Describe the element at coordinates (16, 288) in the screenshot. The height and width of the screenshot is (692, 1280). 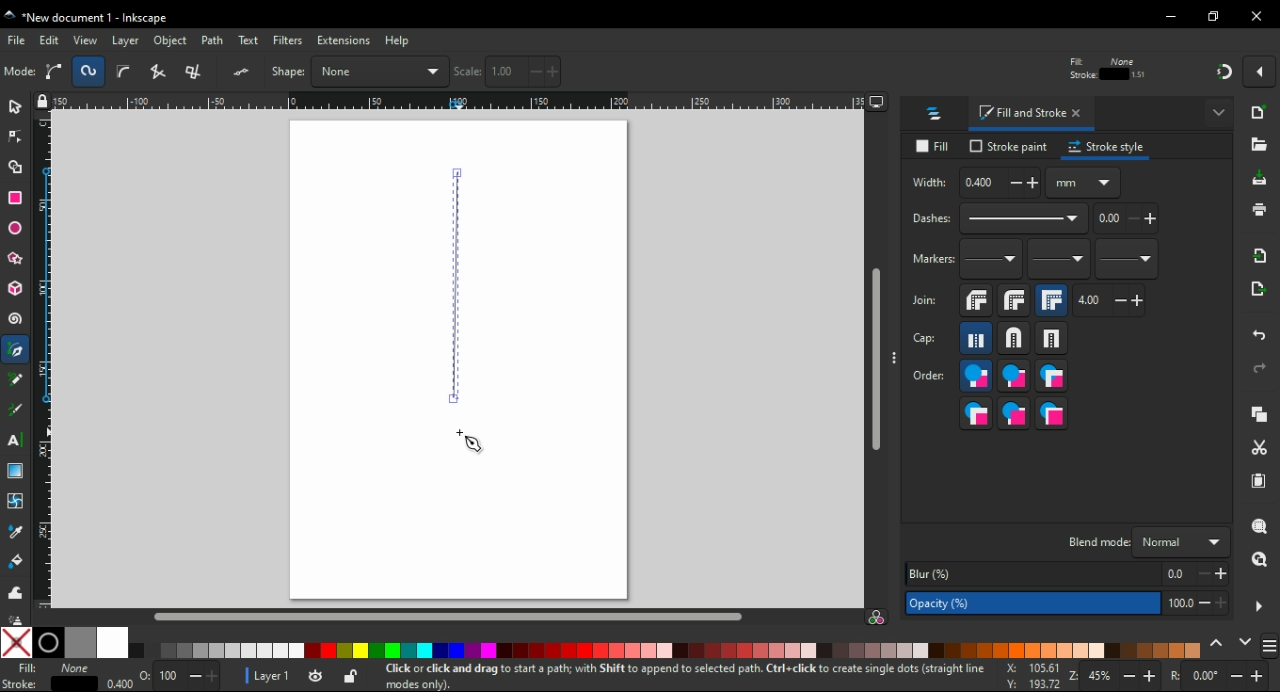
I see `3D box tool` at that location.